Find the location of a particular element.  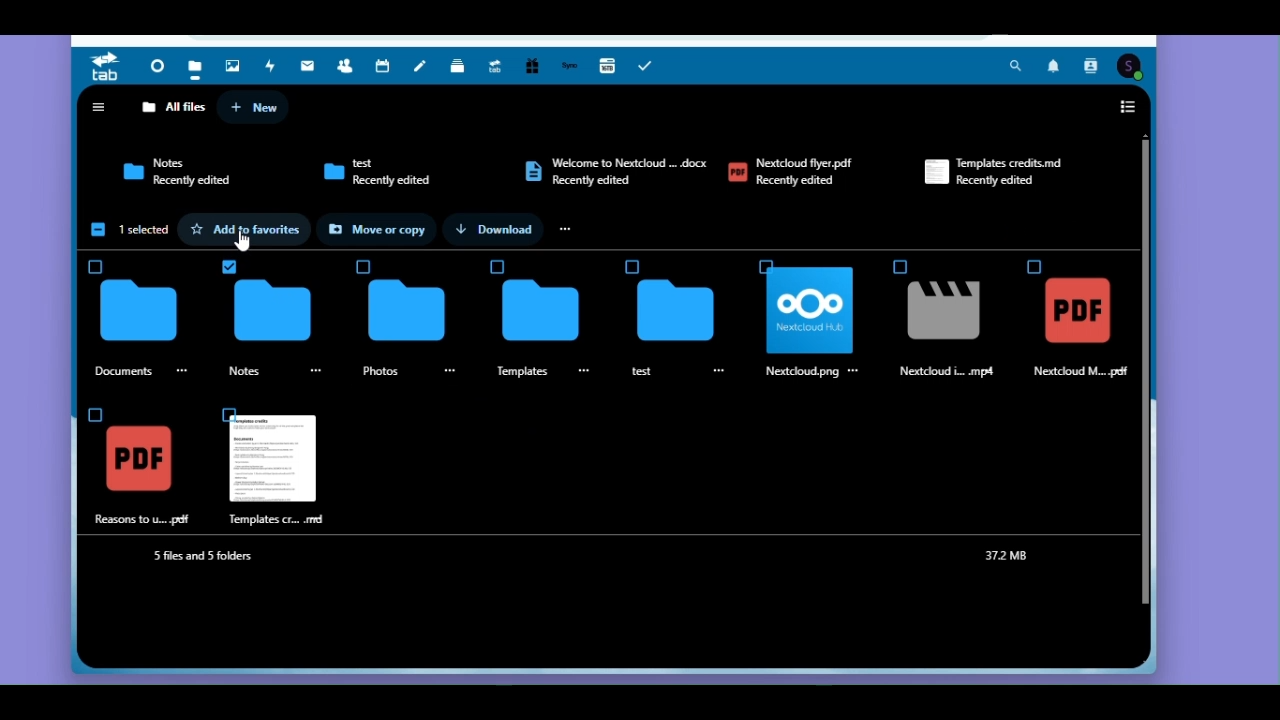

Synology is located at coordinates (566, 65).